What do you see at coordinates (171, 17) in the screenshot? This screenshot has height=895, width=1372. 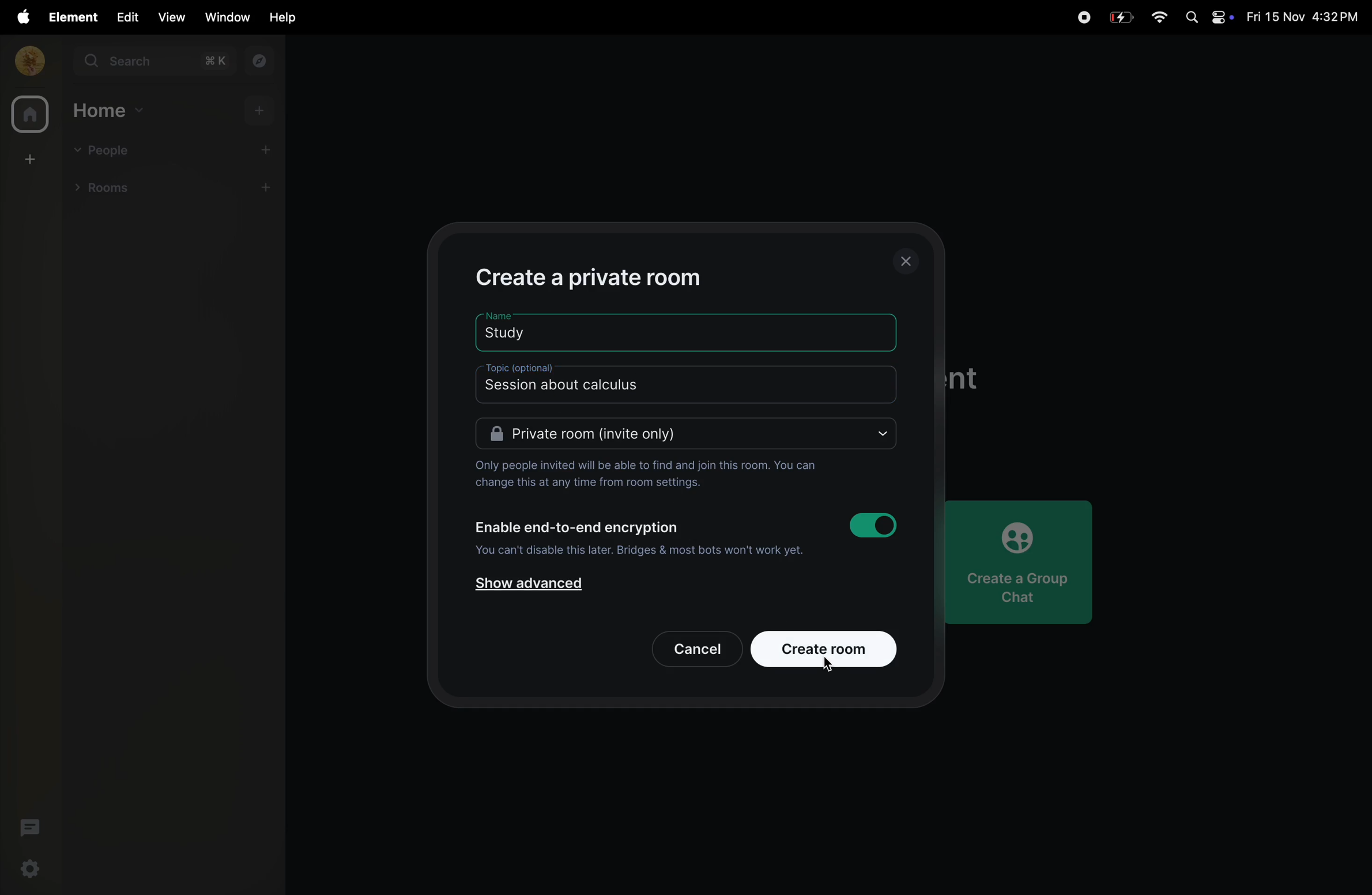 I see `view` at bounding box center [171, 17].